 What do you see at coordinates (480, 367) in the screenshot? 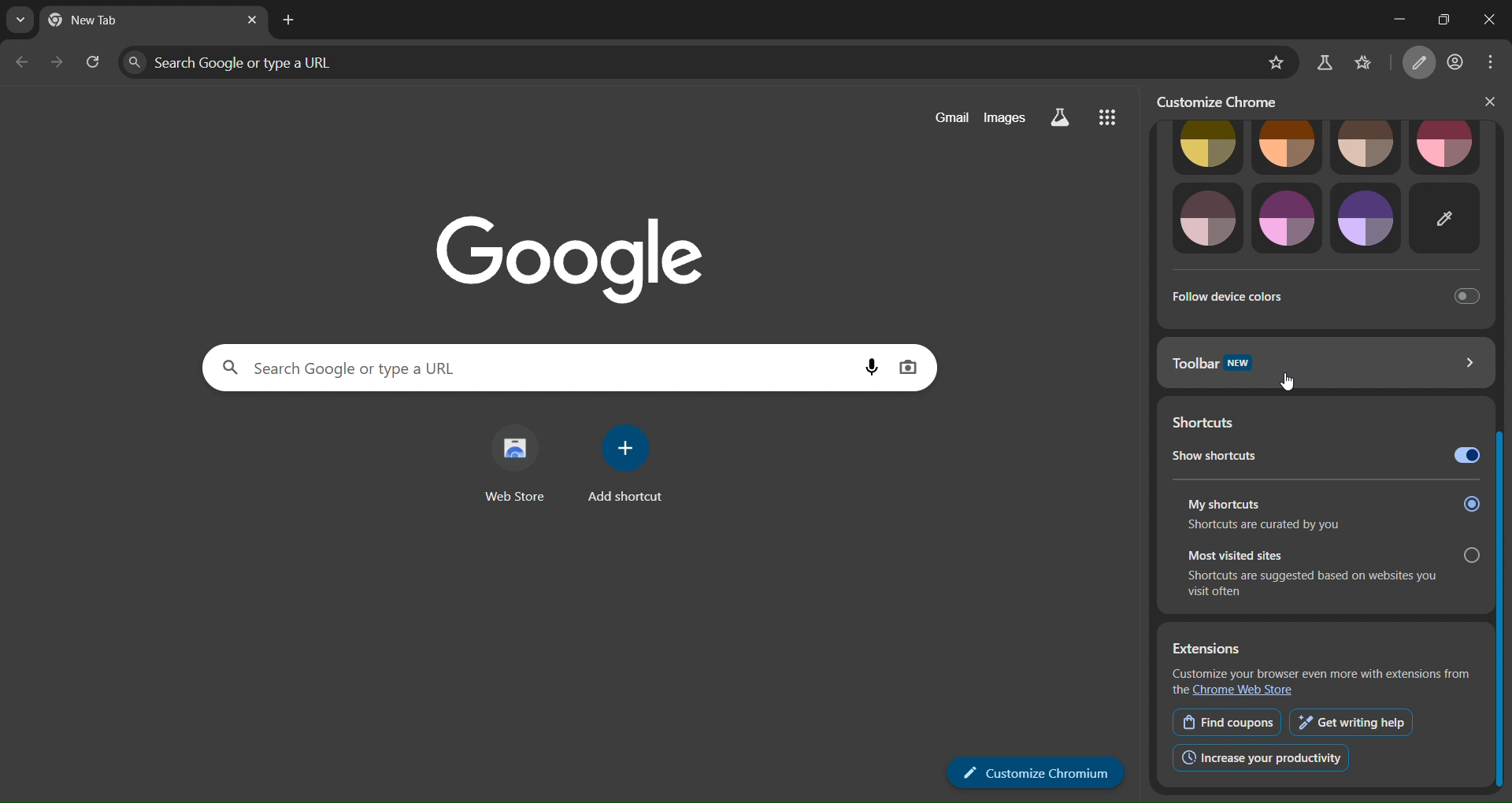
I see `search panel` at bounding box center [480, 367].